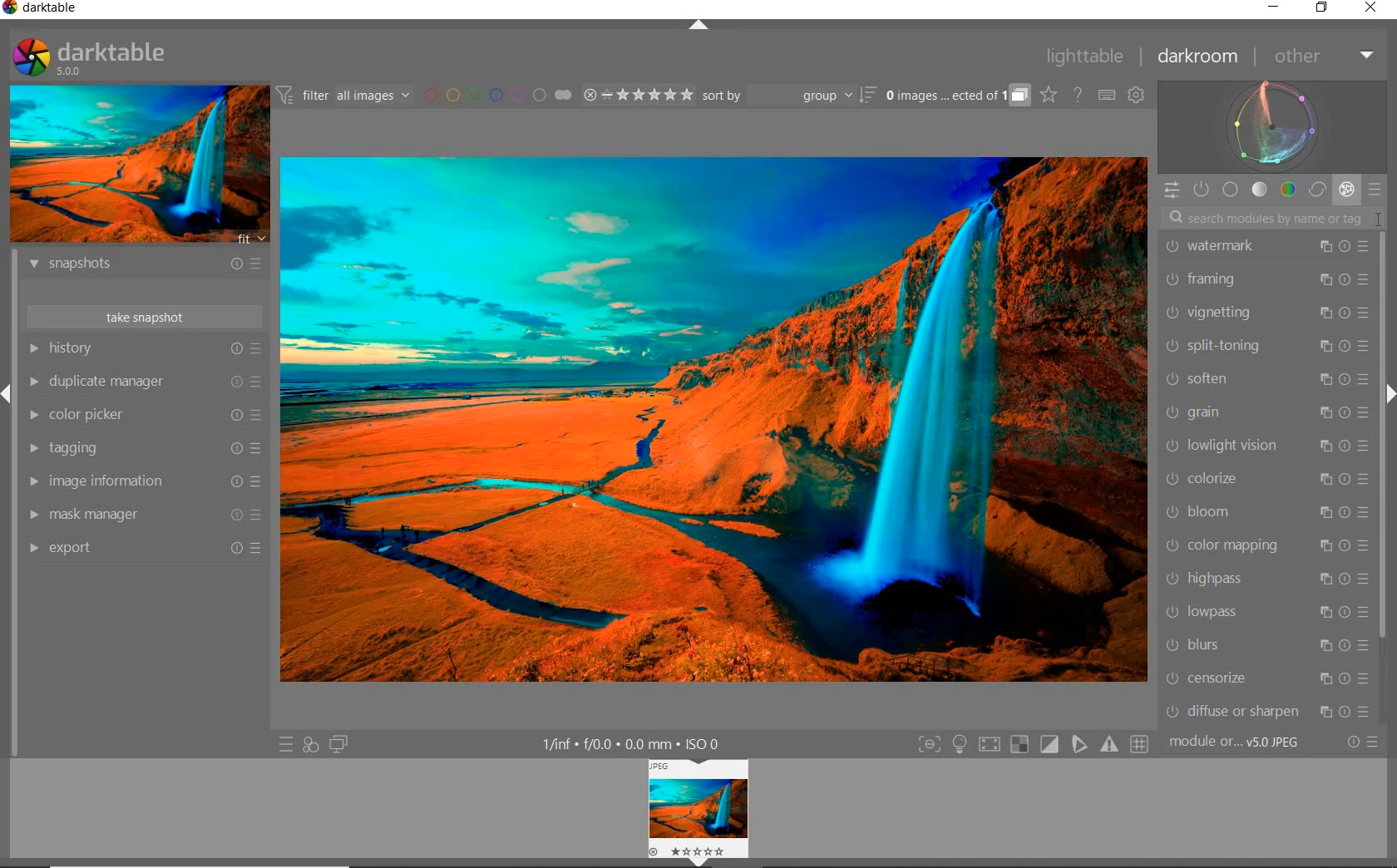 The width and height of the screenshot is (1397, 868). Describe the element at coordinates (309, 746) in the screenshot. I see `QUICK ACCESS FOR APPLYING ANY OF YOUR STYLES` at that location.